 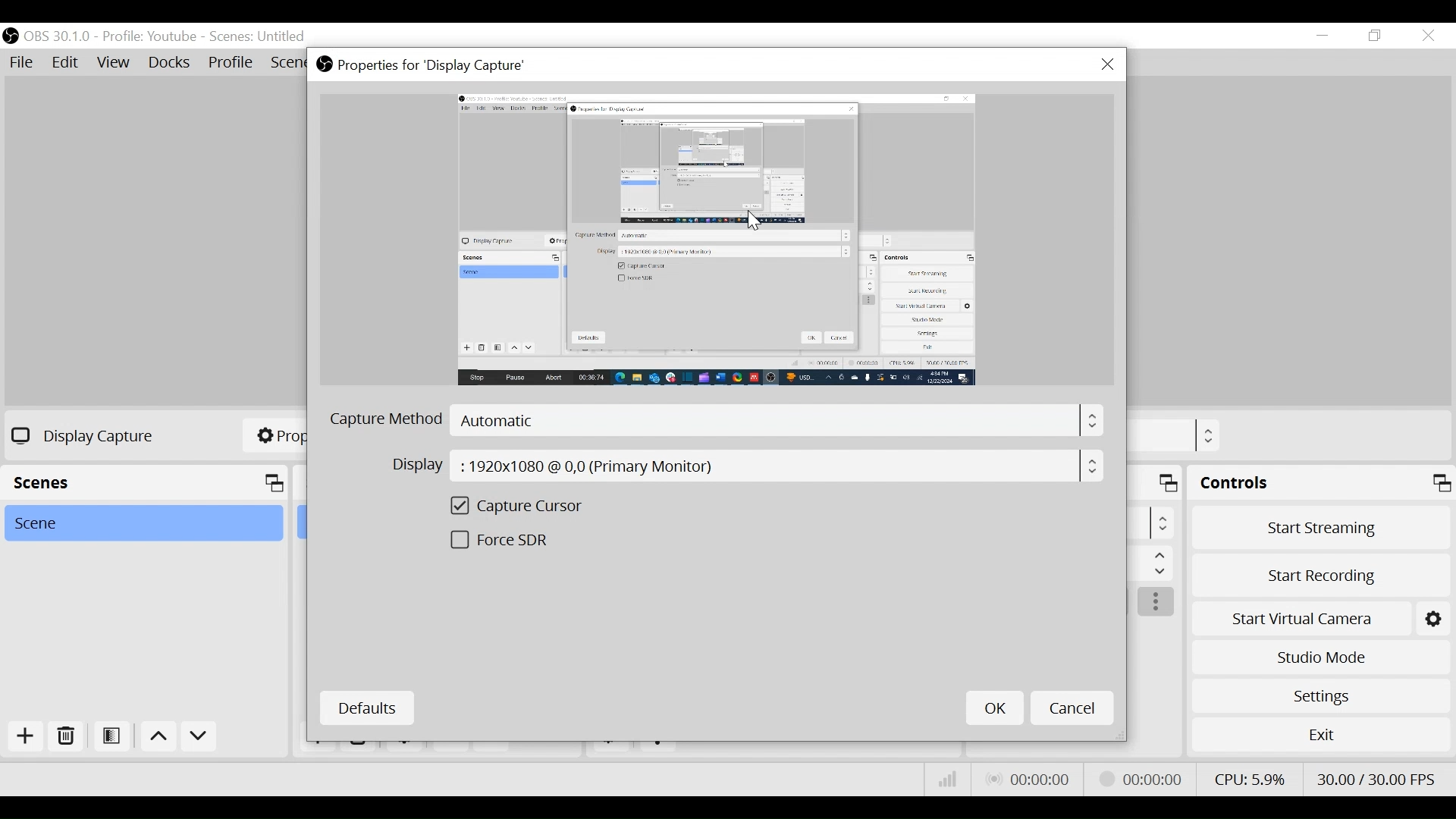 What do you see at coordinates (113, 63) in the screenshot?
I see `View` at bounding box center [113, 63].